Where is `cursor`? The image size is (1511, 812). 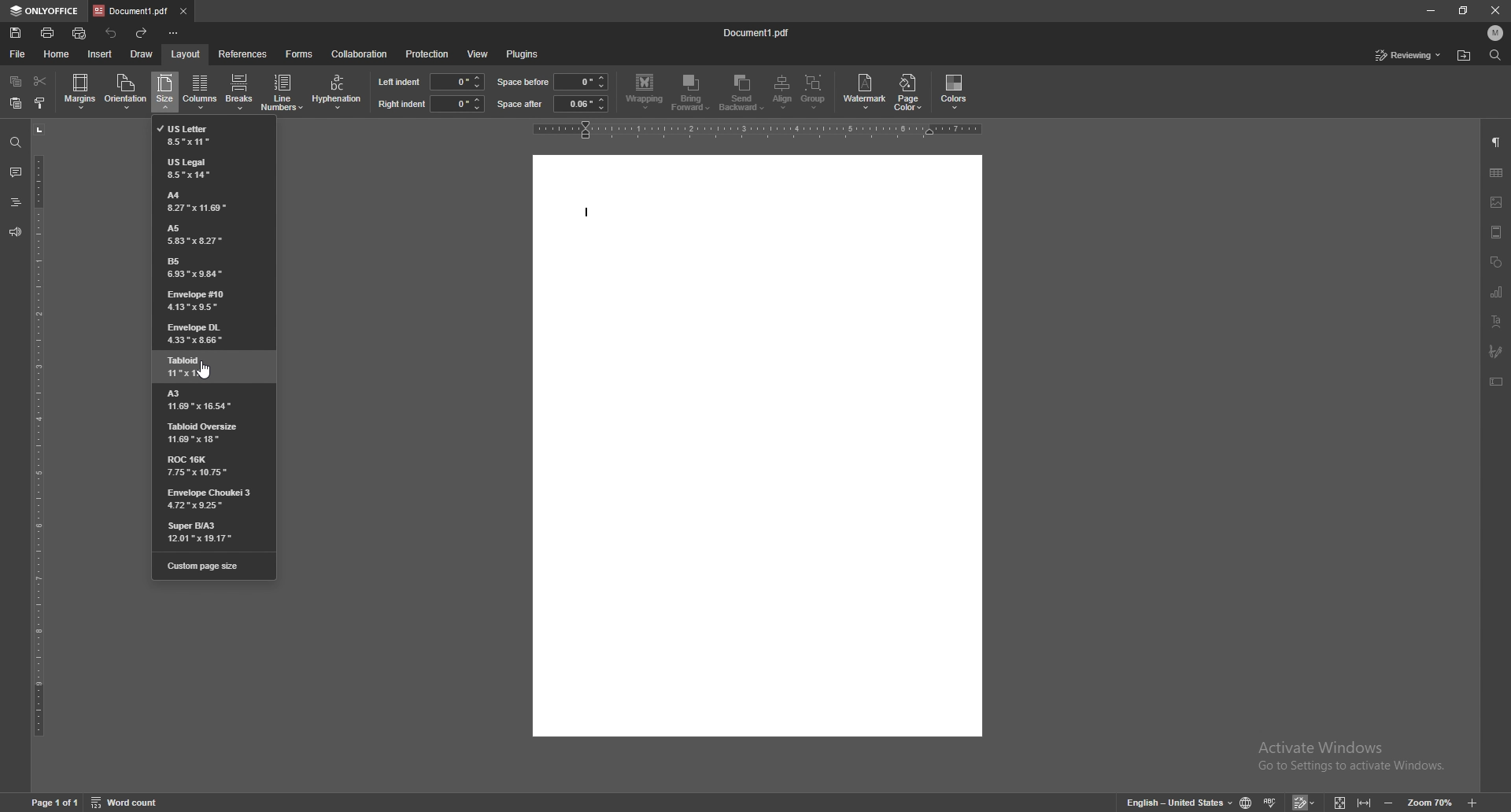 cursor is located at coordinates (206, 370).